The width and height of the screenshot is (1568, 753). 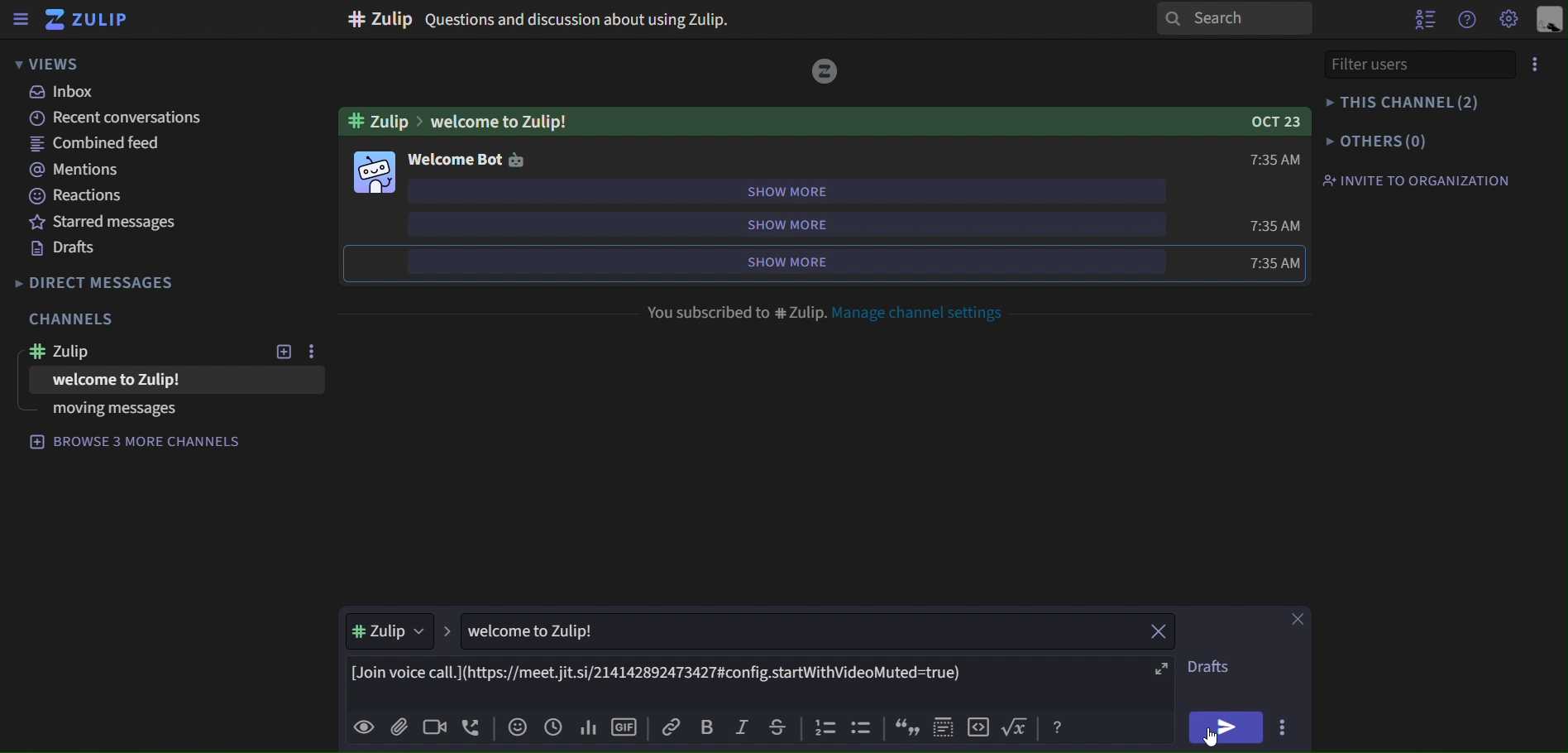 I want to click on hide user list, so click(x=1424, y=22).